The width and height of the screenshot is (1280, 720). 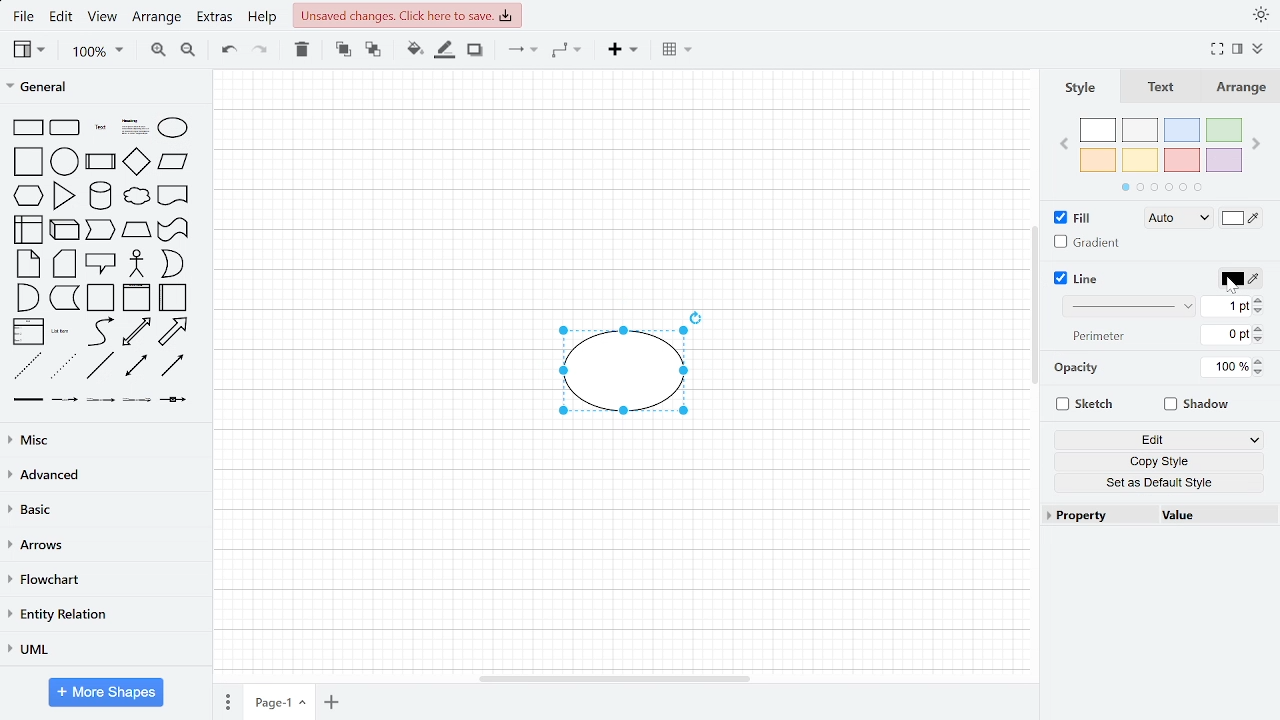 I want to click on bidirectional connector, so click(x=134, y=366).